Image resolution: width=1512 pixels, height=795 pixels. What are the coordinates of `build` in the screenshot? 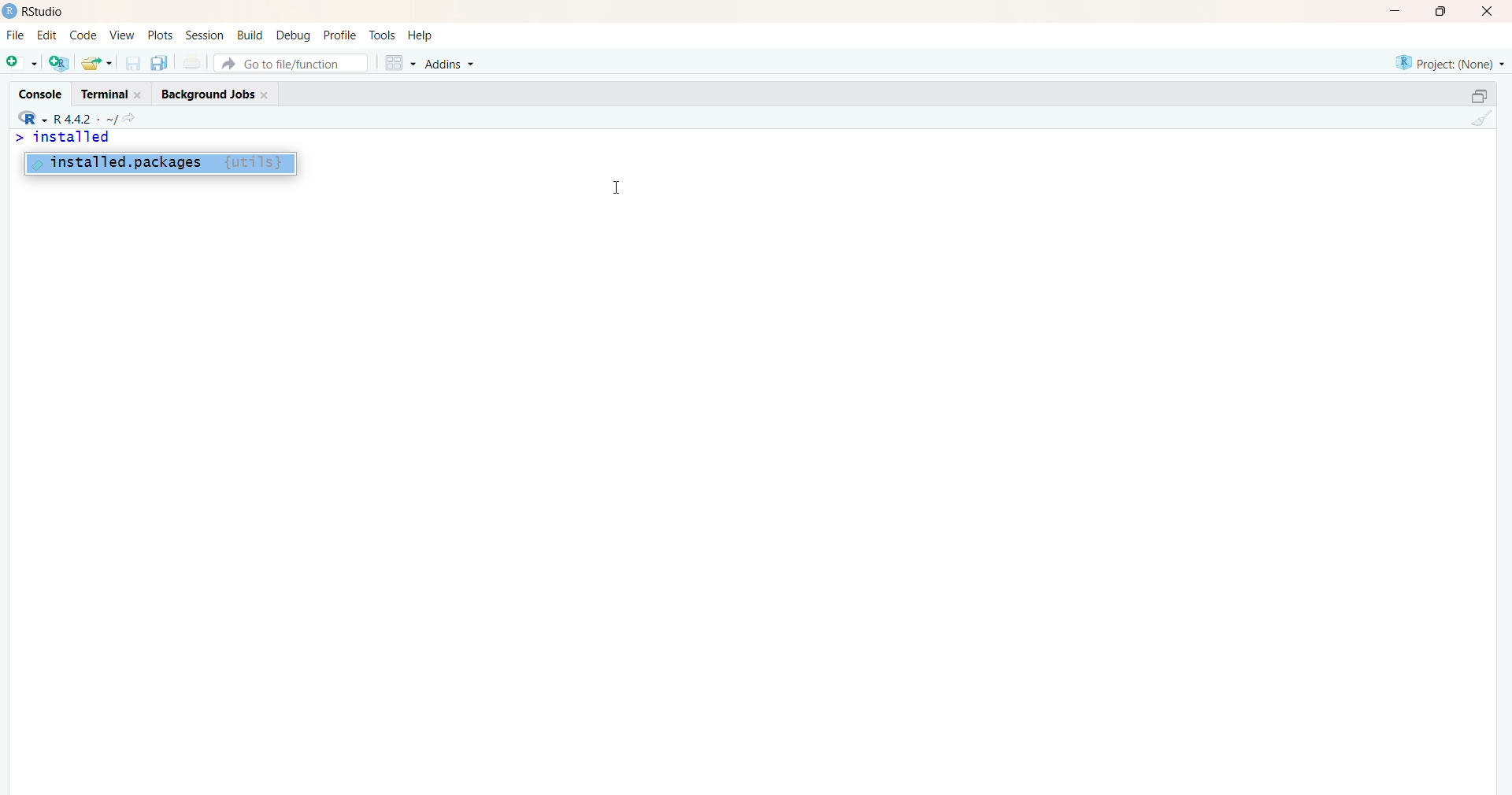 It's located at (251, 35).